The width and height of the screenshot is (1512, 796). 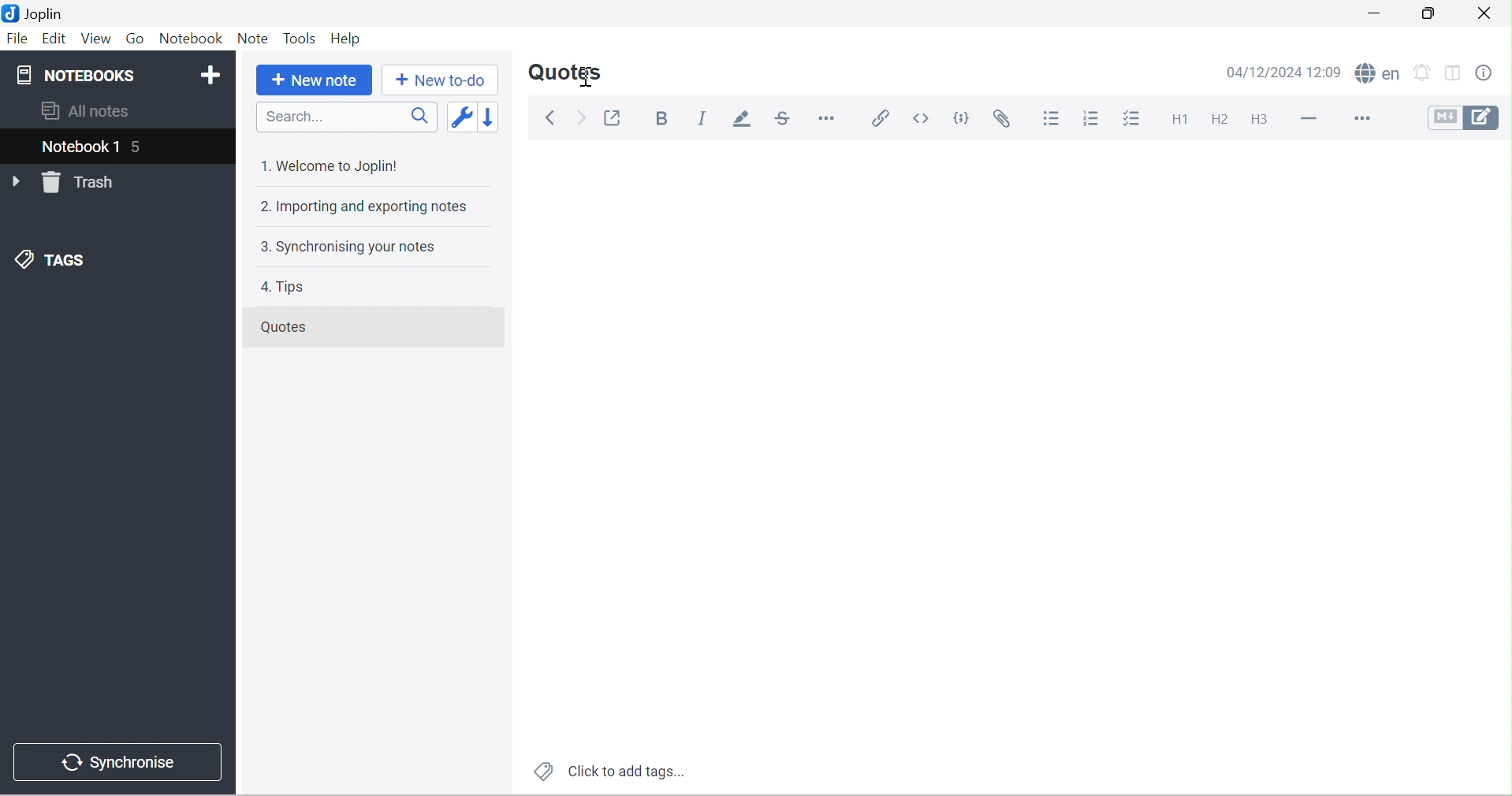 I want to click on Forward, so click(x=581, y=119).